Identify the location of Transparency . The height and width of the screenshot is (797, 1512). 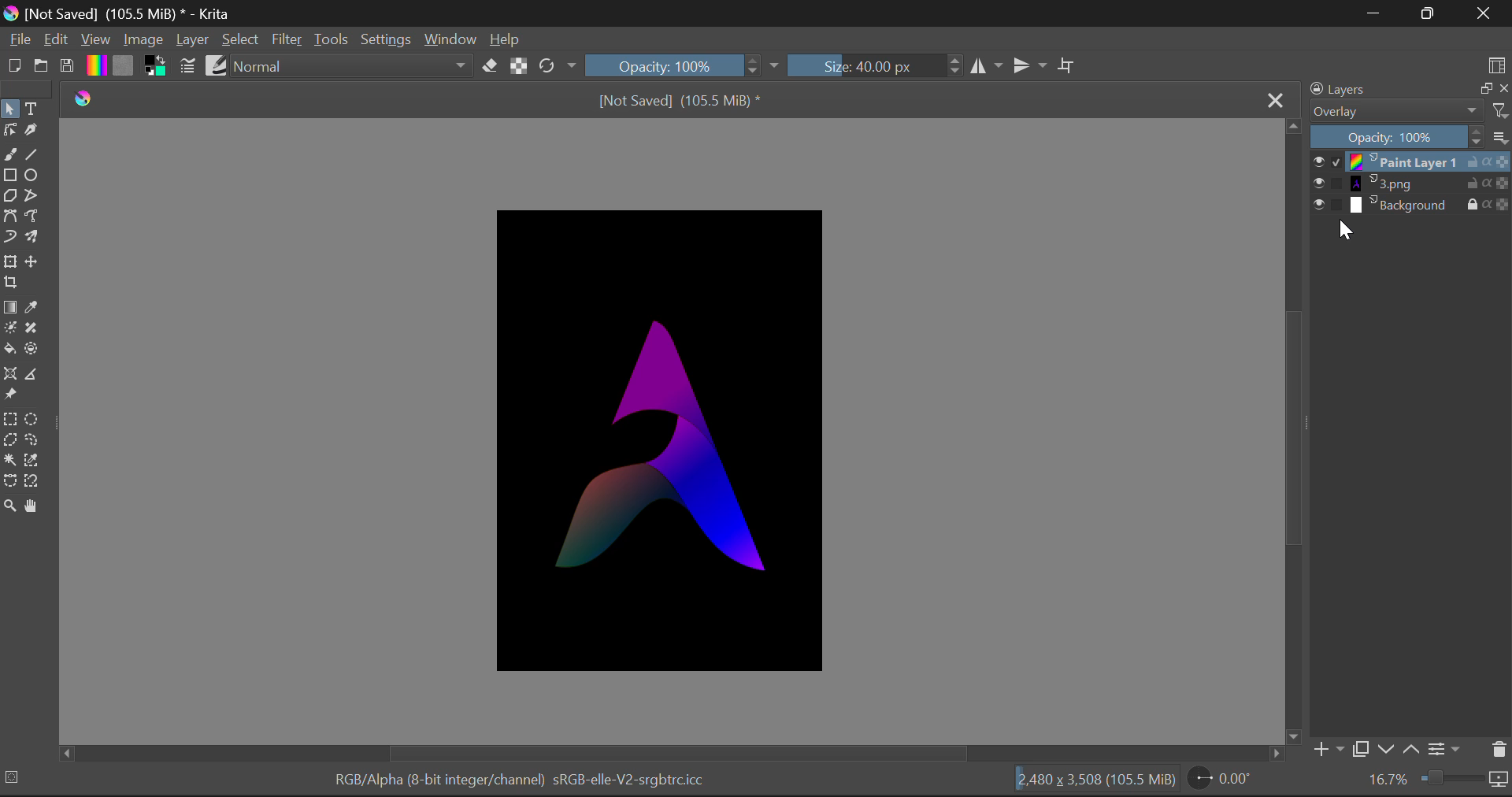
(1503, 162).